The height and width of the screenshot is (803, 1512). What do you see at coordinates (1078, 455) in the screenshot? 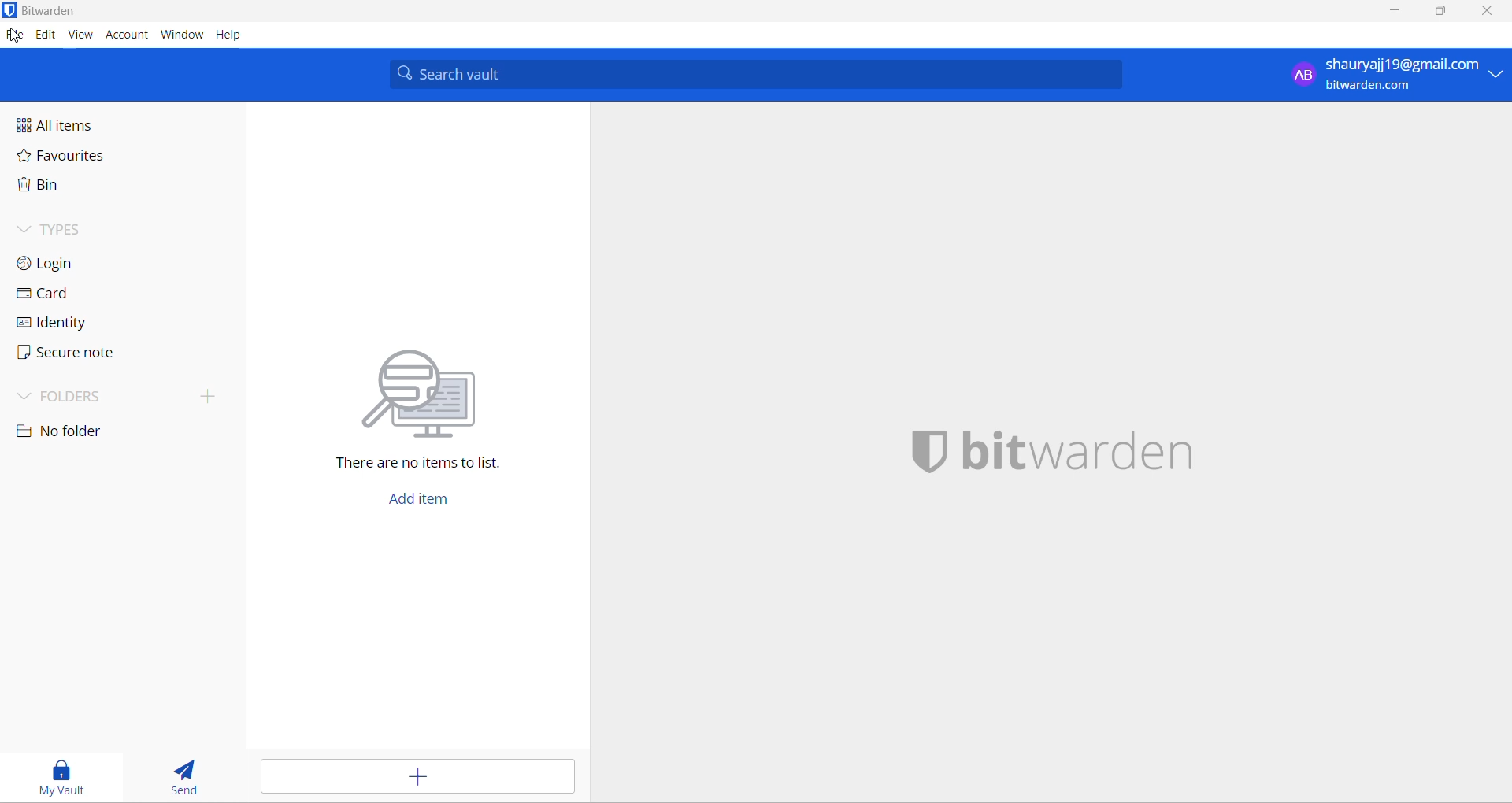
I see `application name` at bounding box center [1078, 455].